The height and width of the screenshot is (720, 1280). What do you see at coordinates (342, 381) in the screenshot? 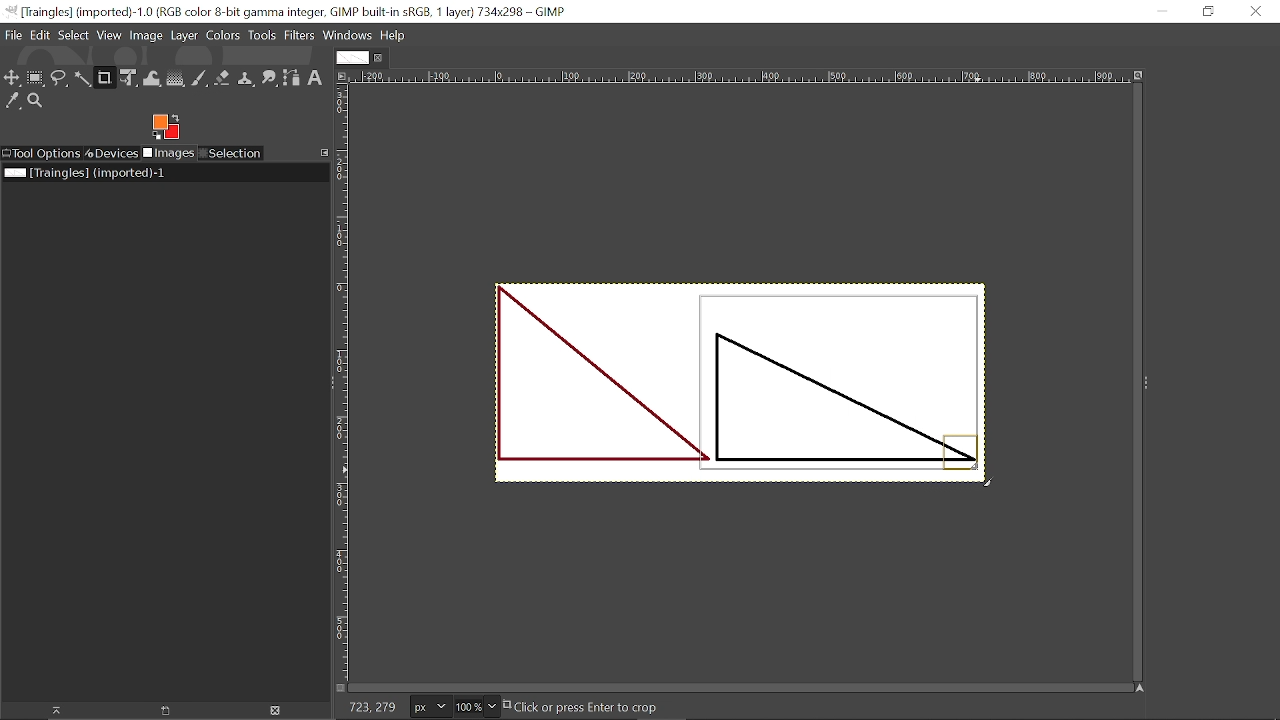
I see `Vertical ruler` at bounding box center [342, 381].